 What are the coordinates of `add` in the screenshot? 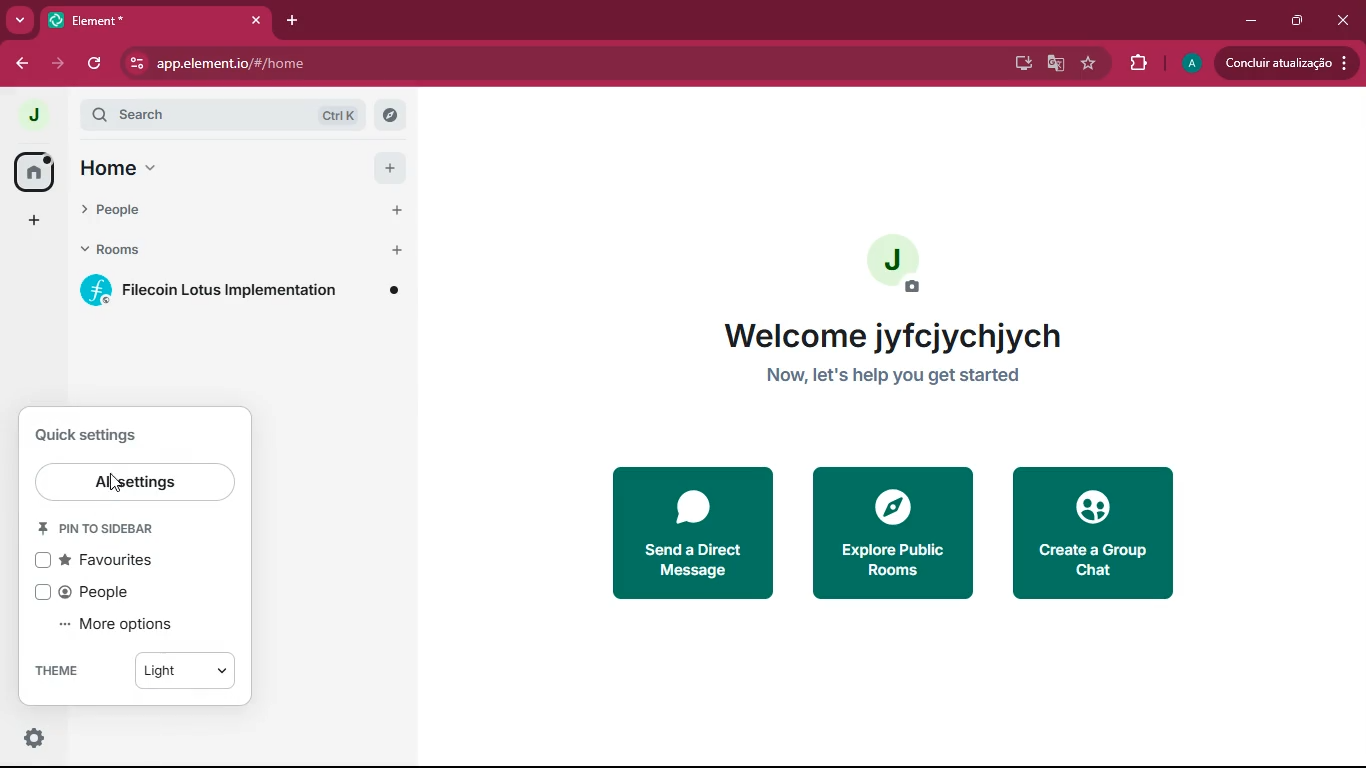 It's located at (35, 219).